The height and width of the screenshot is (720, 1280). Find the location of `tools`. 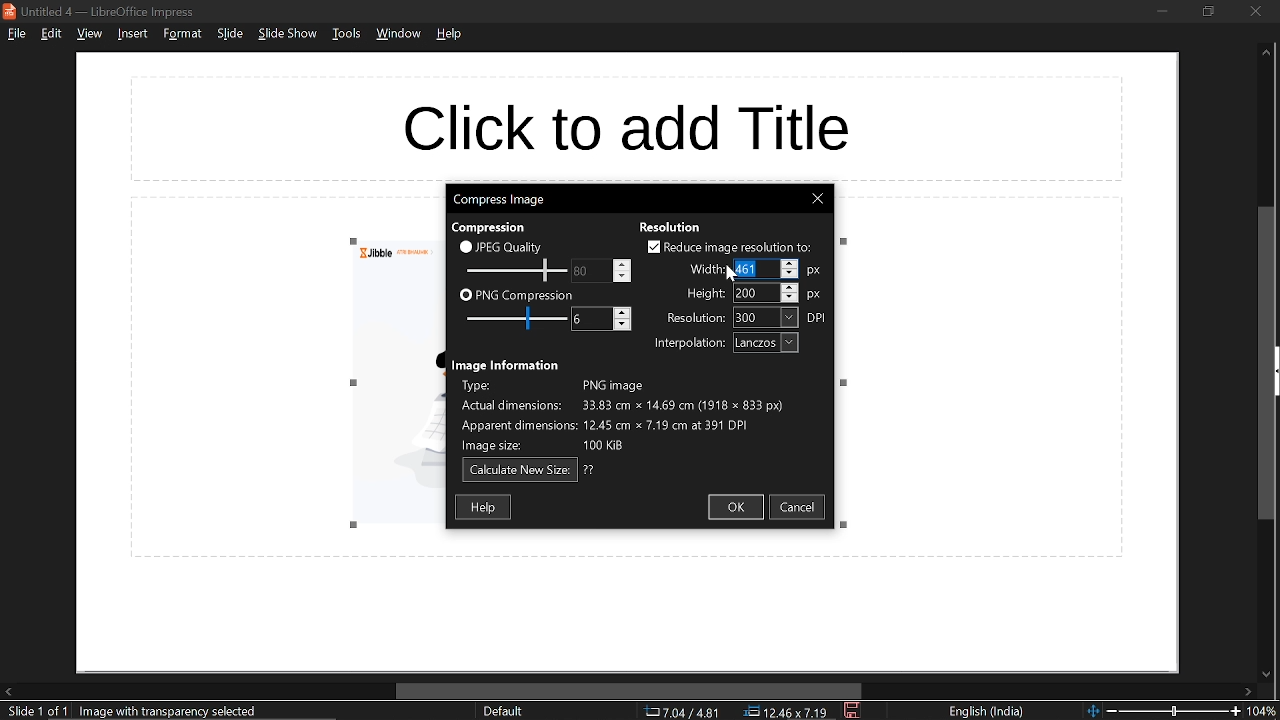

tools is located at coordinates (345, 37).